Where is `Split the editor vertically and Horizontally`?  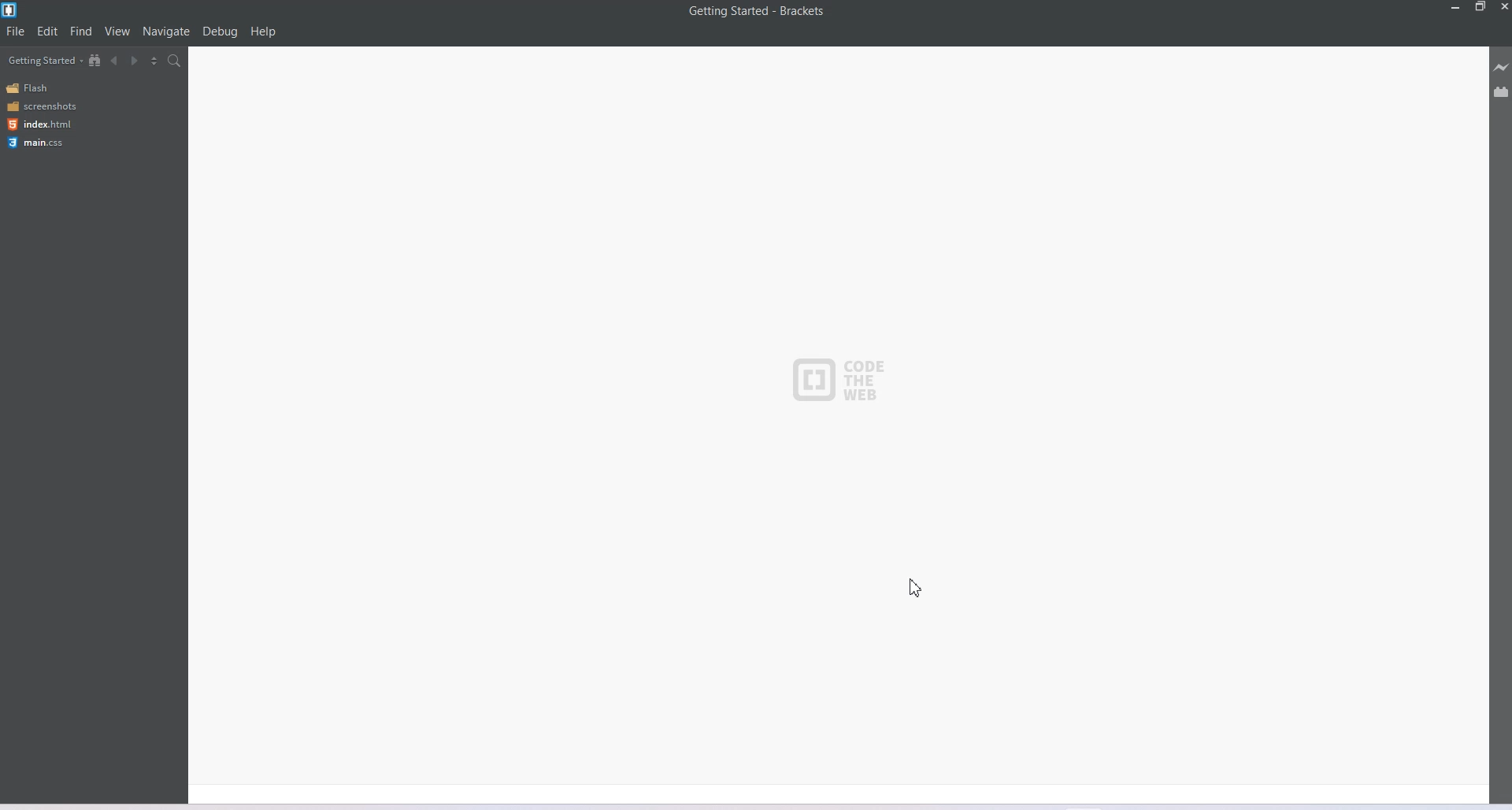
Split the editor vertically and Horizontally is located at coordinates (154, 60).